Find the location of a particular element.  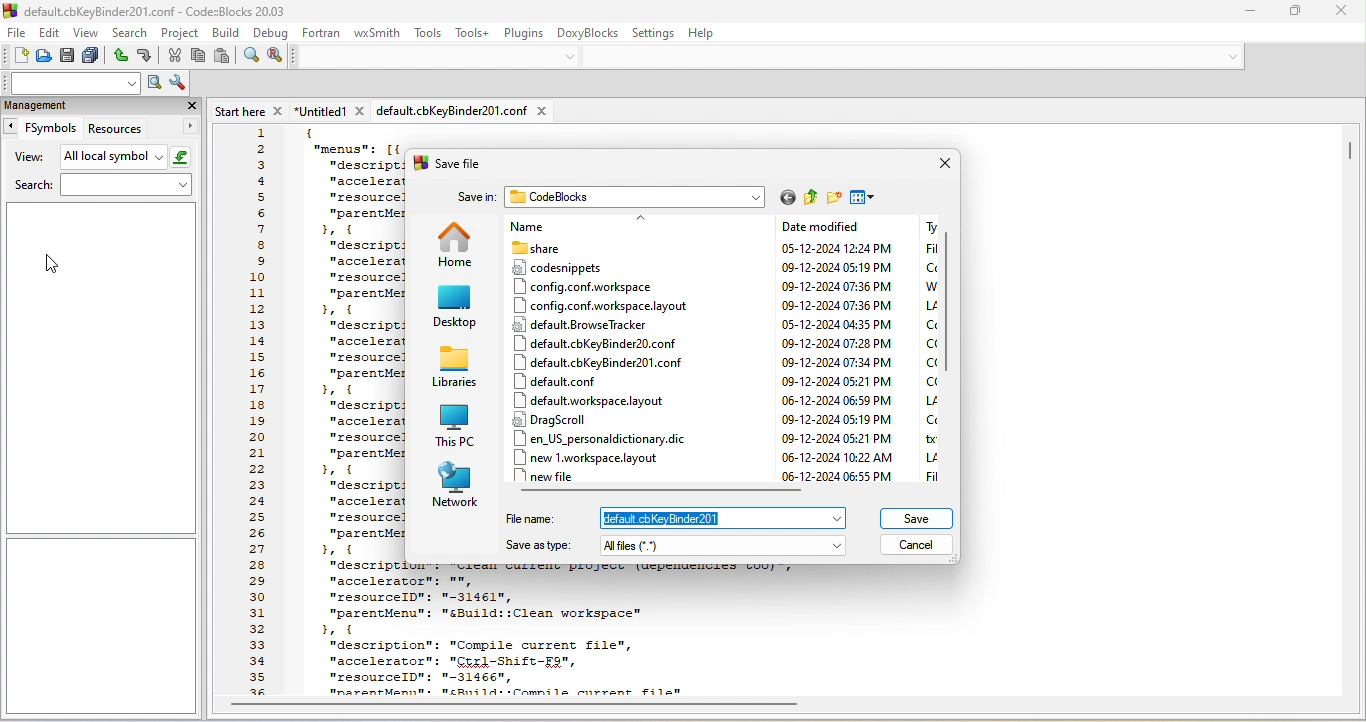

close is located at coordinates (942, 163).